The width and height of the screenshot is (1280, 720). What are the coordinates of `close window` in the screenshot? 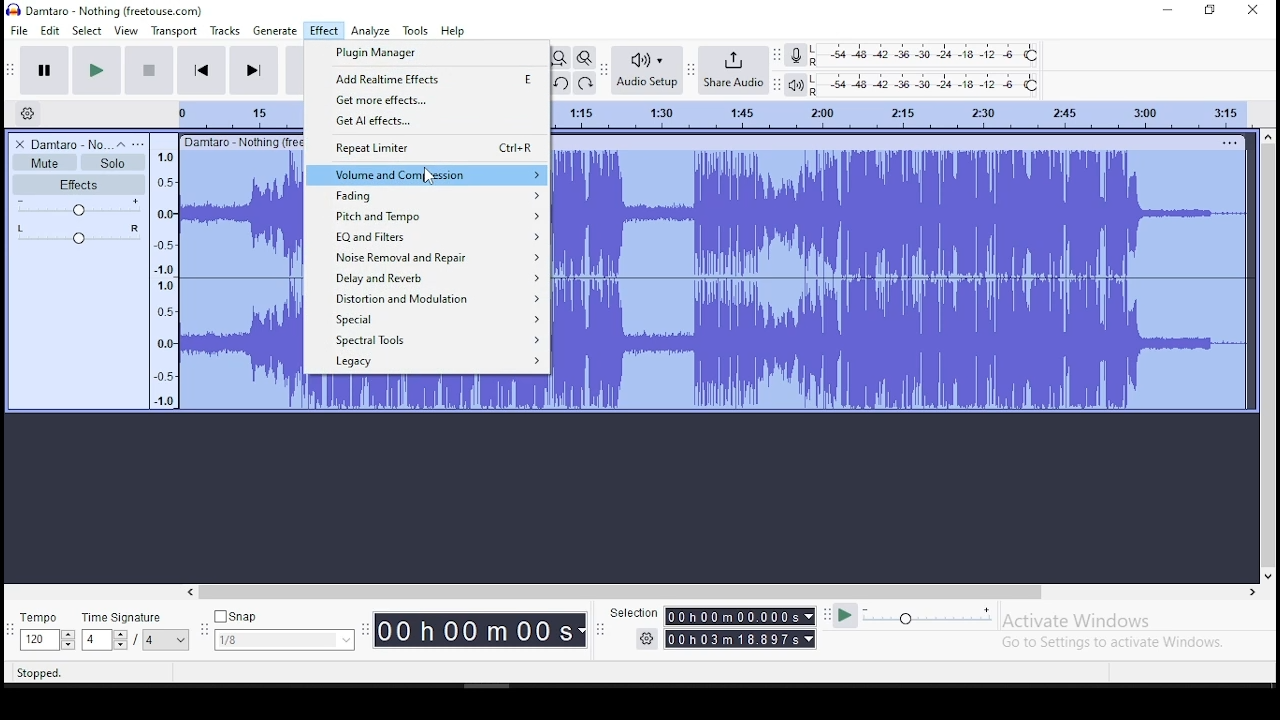 It's located at (1255, 11).